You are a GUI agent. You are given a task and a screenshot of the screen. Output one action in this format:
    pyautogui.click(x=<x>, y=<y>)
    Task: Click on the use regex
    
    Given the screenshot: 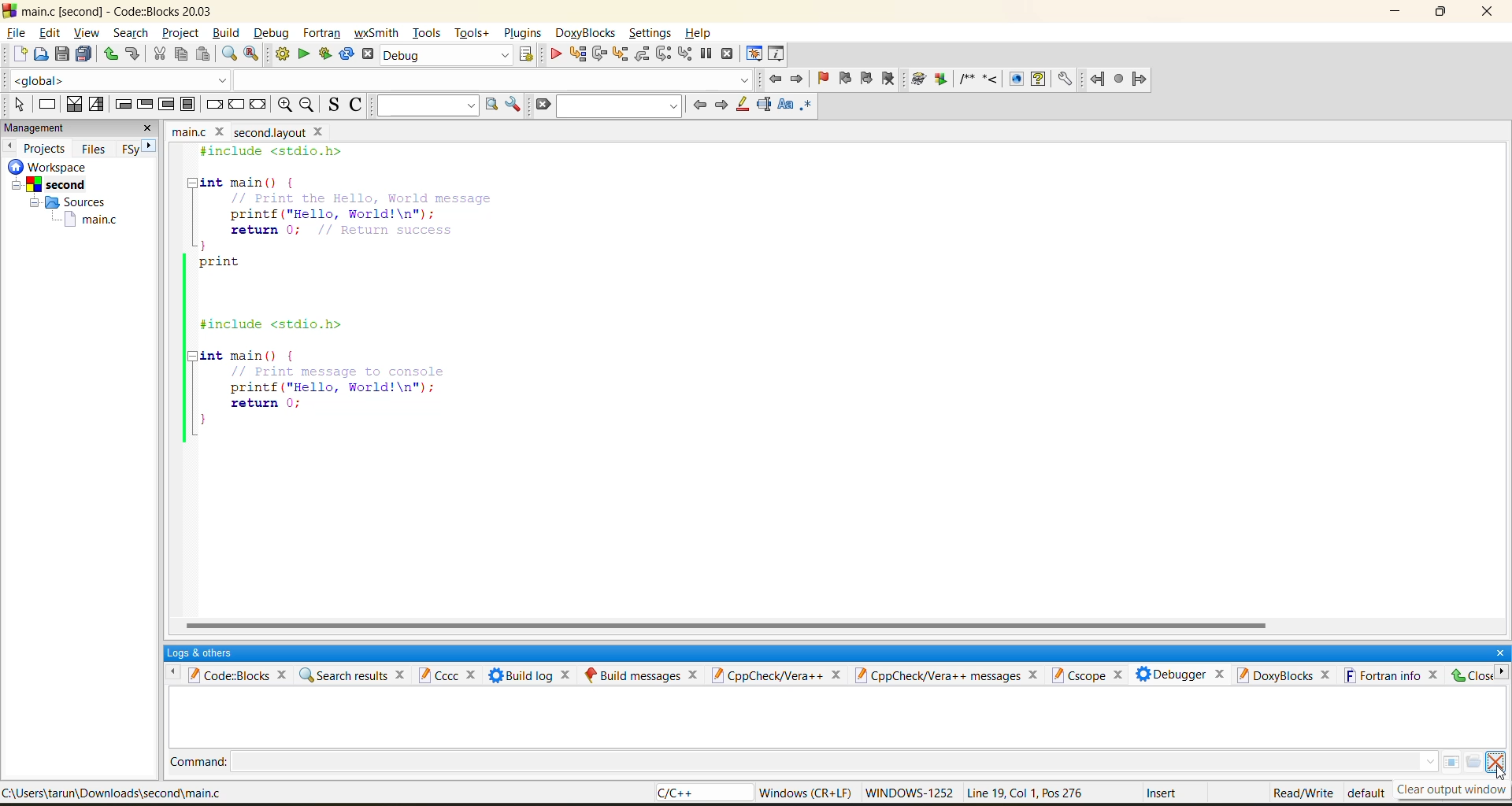 What is the action you would take?
    pyautogui.click(x=808, y=109)
    